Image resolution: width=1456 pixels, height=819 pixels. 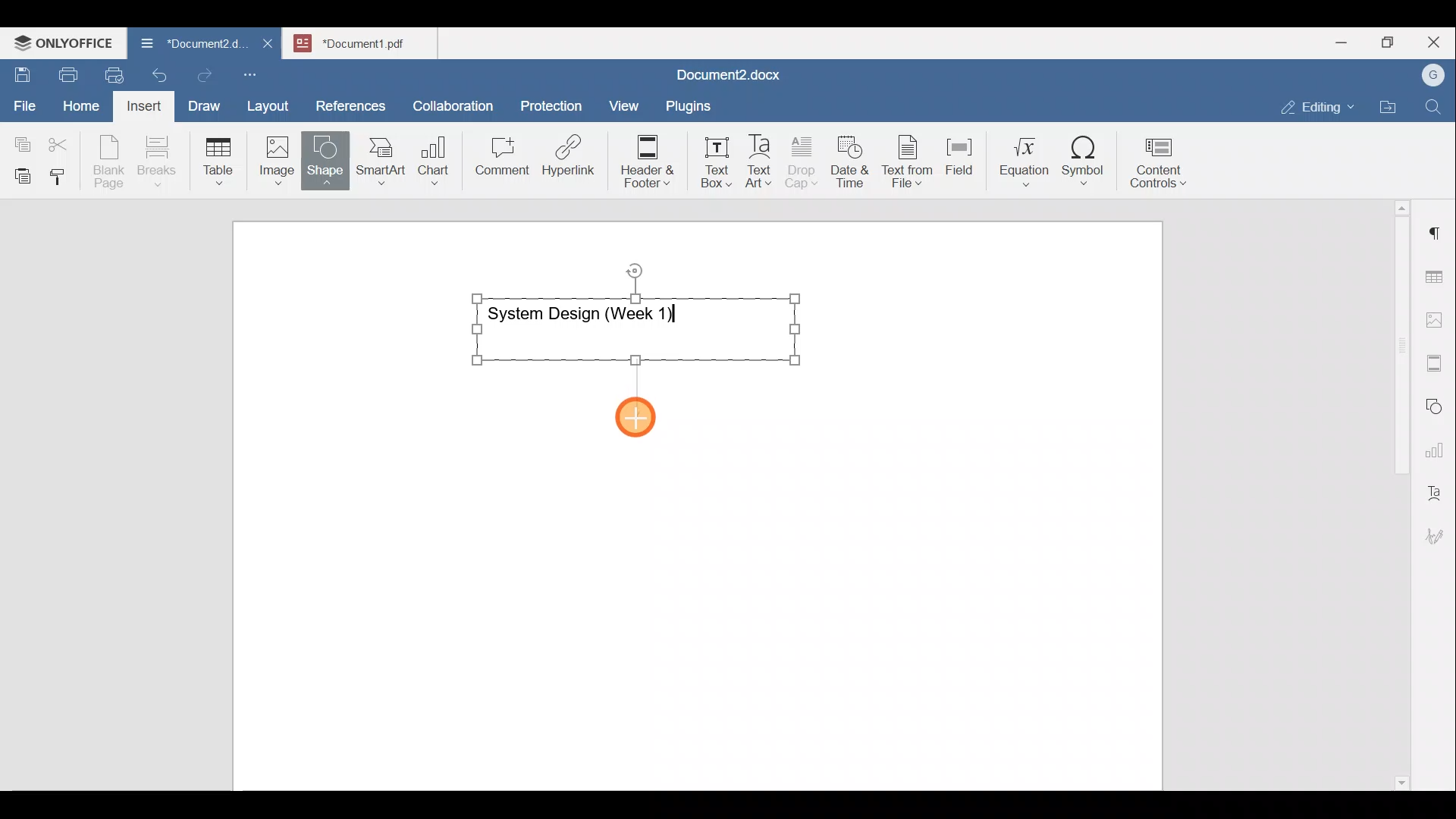 What do you see at coordinates (693, 104) in the screenshot?
I see `Plugins` at bounding box center [693, 104].